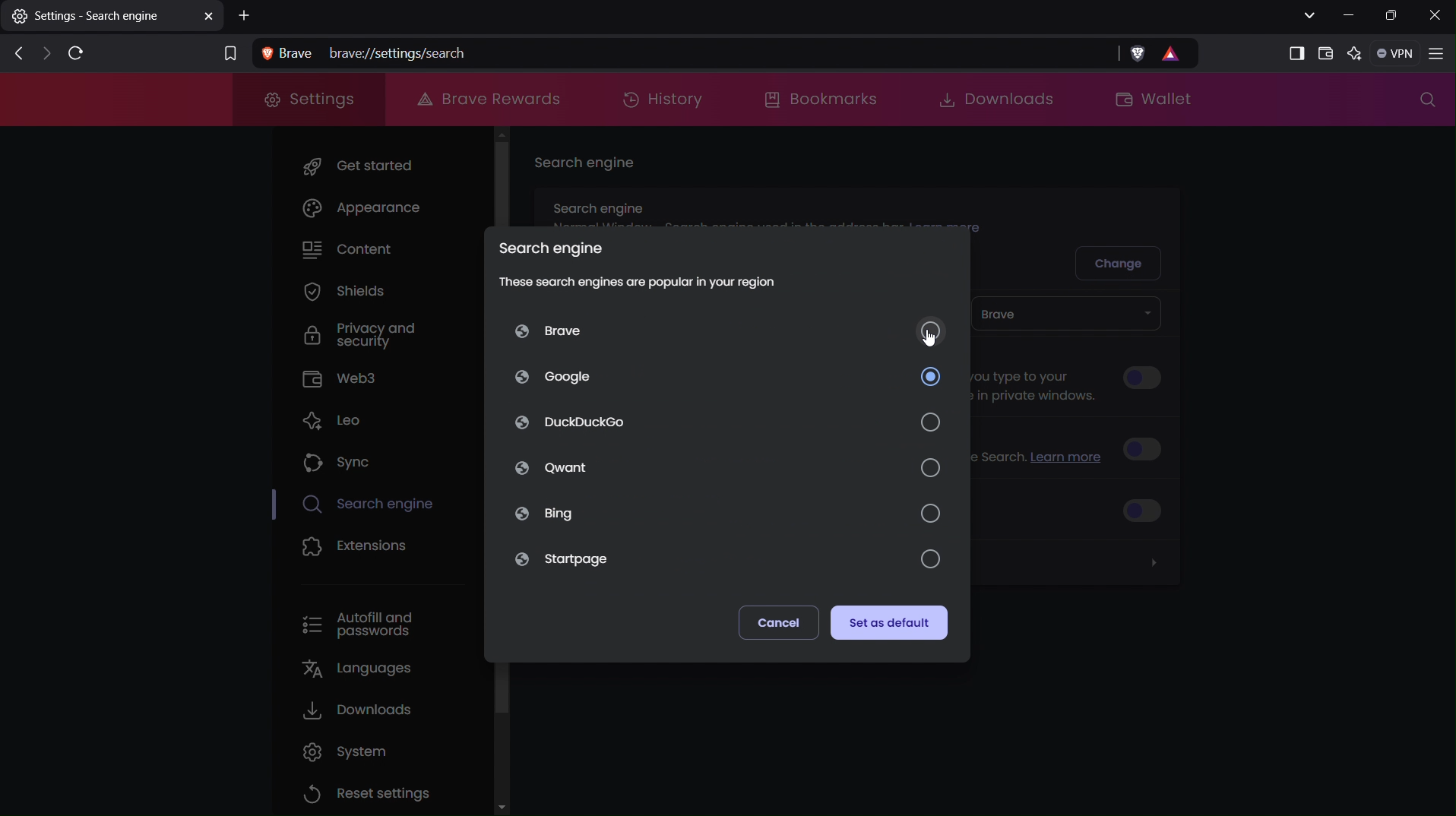  Describe the element at coordinates (729, 376) in the screenshot. I see `Google` at that location.